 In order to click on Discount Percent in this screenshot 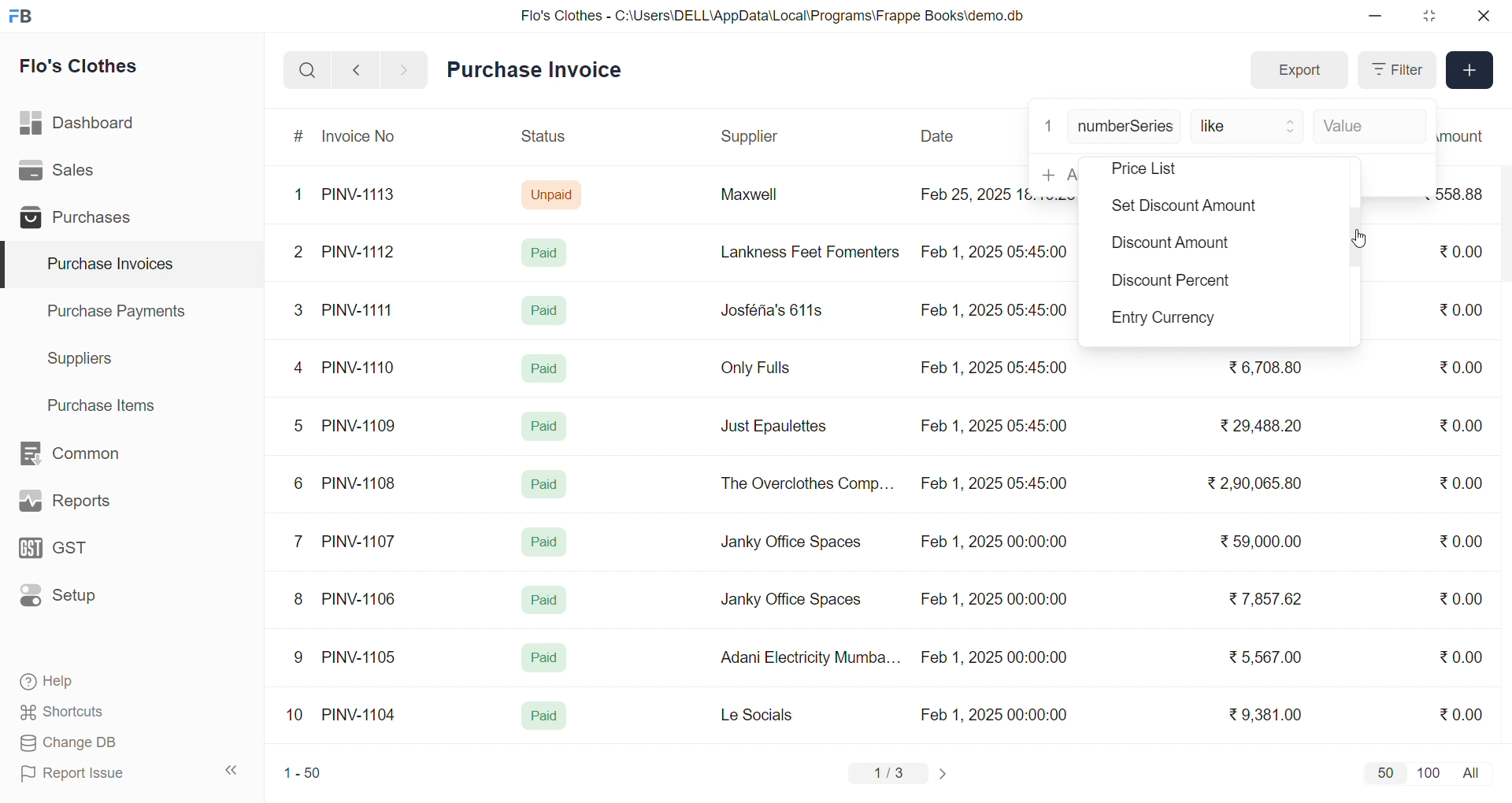, I will do `click(1172, 283)`.